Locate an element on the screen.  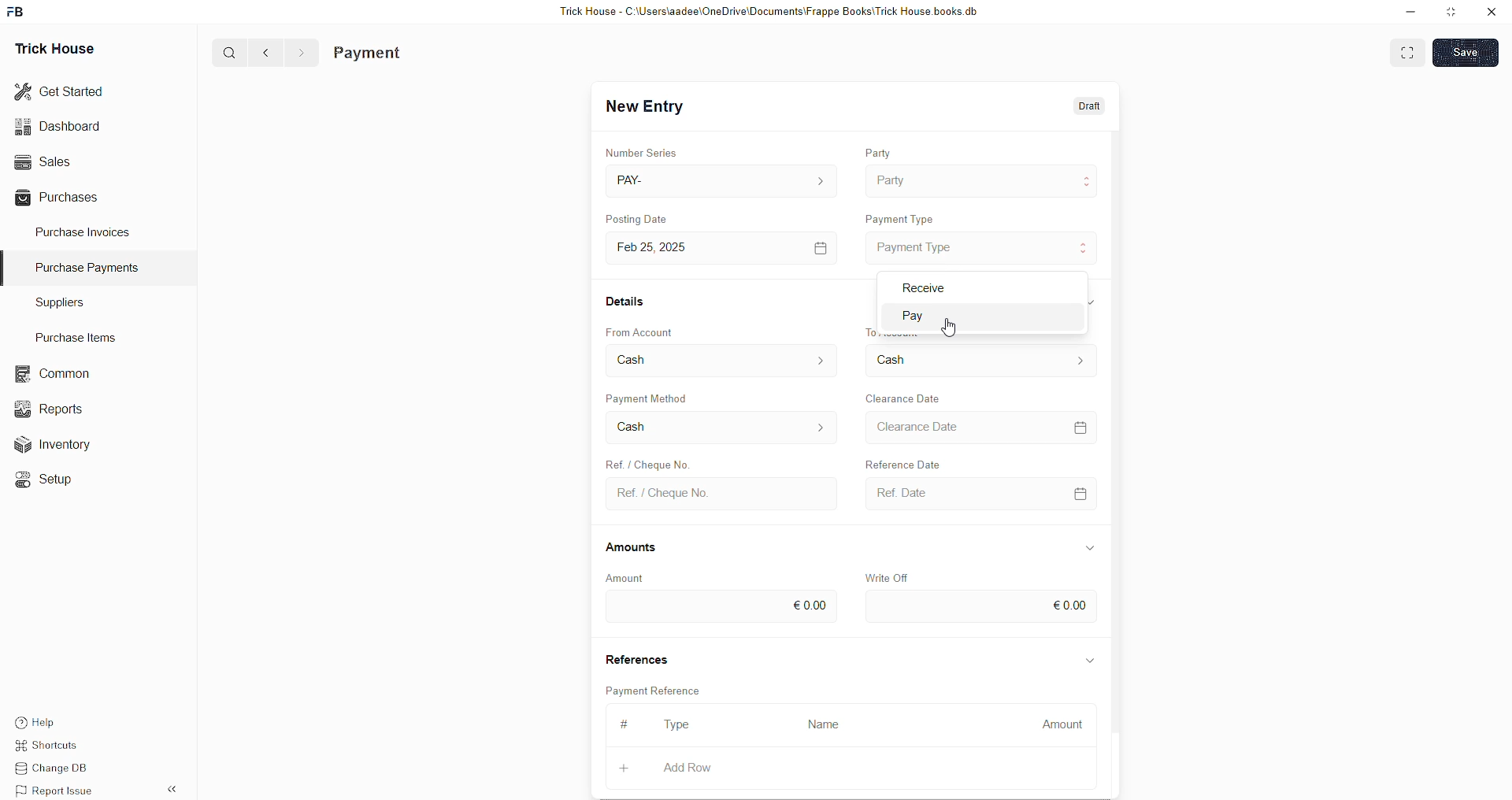
Inventory is located at coordinates (61, 448).